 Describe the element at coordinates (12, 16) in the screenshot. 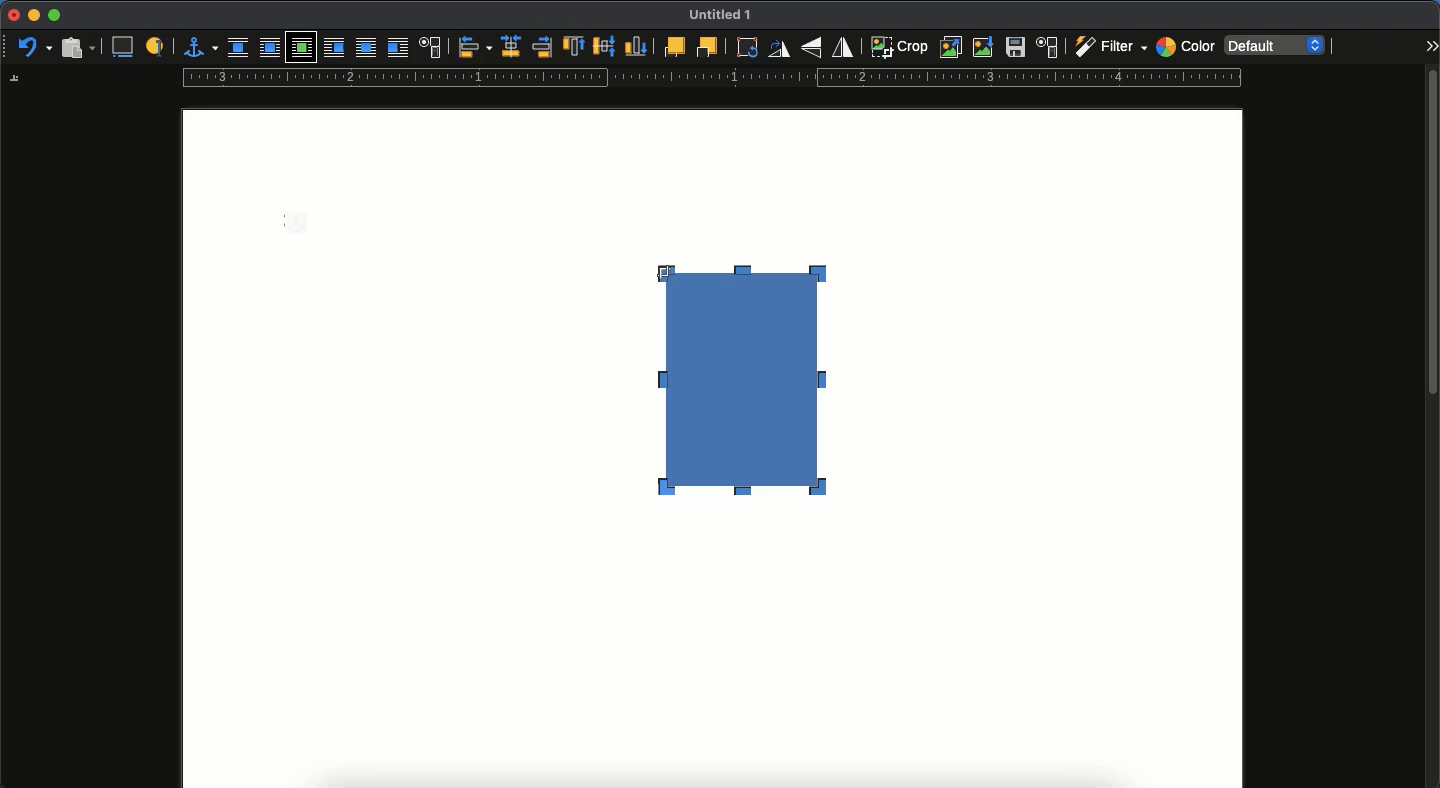

I see `close` at that location.